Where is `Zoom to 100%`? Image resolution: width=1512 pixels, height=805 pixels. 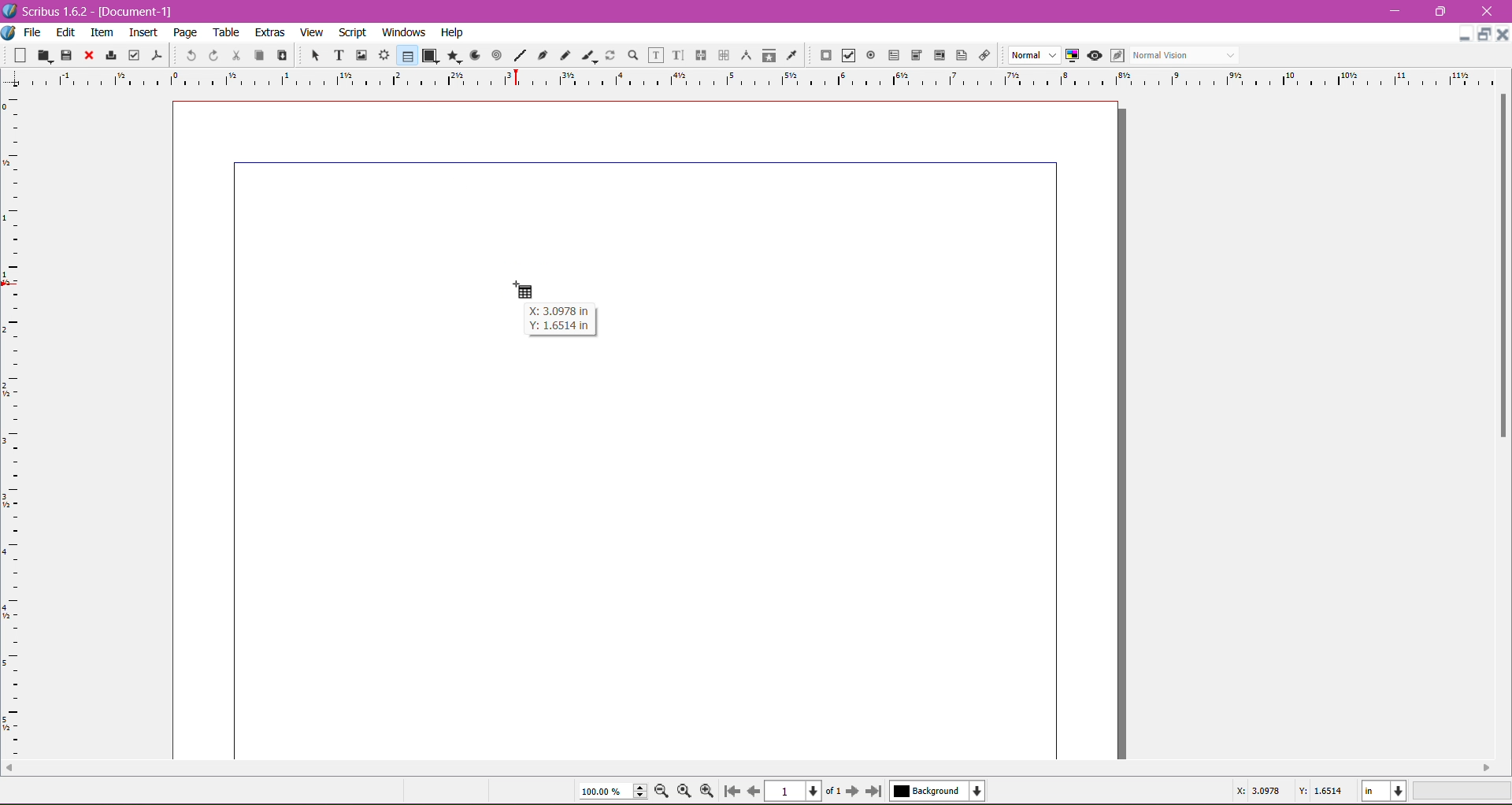
Zoom to 100% is located at coordinates (686, 792).